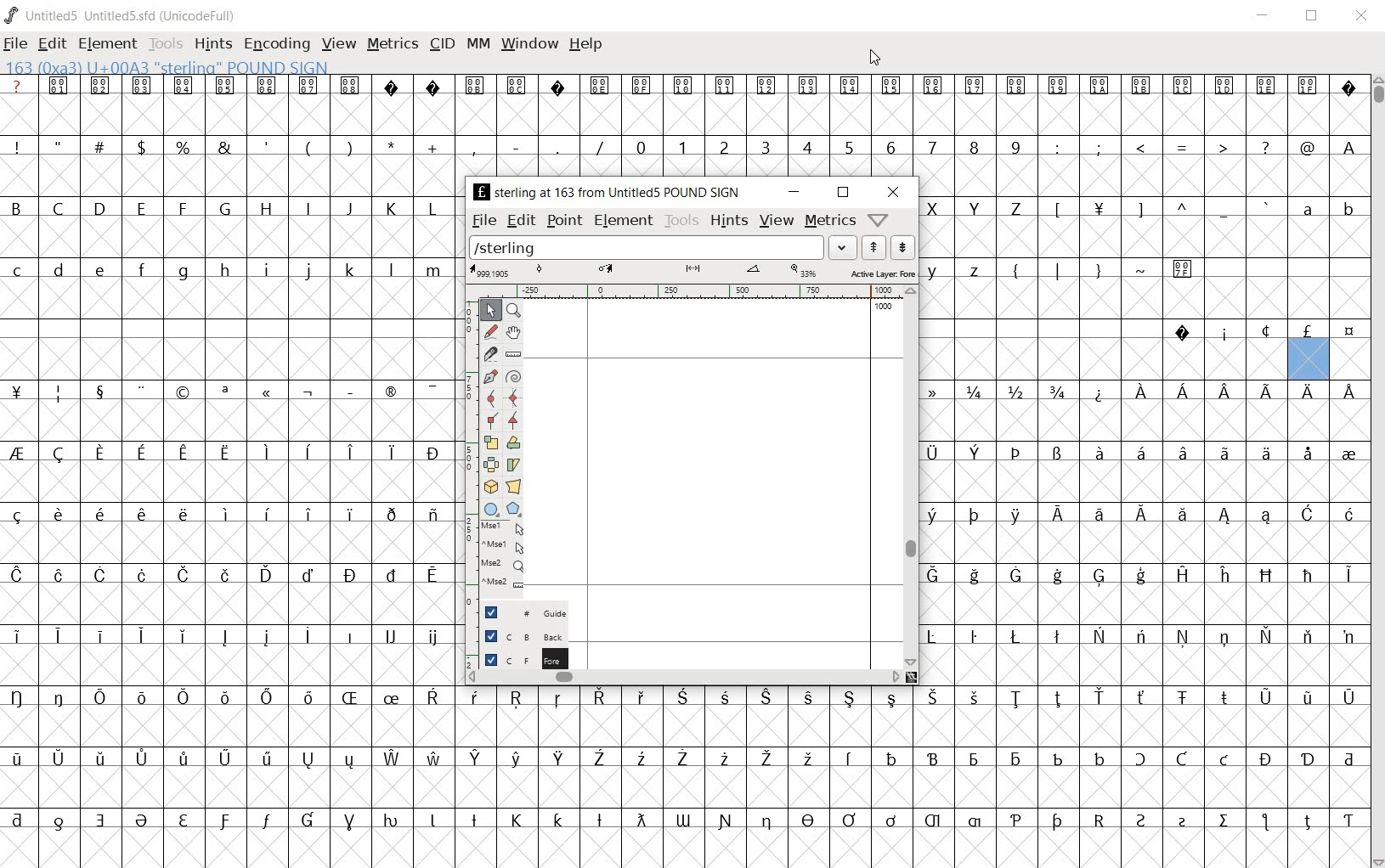 This screenshot has height=868, width=1385. Describe the element at coordinates (1308, 576) in the screenshot. I see `Symbol` at that location.